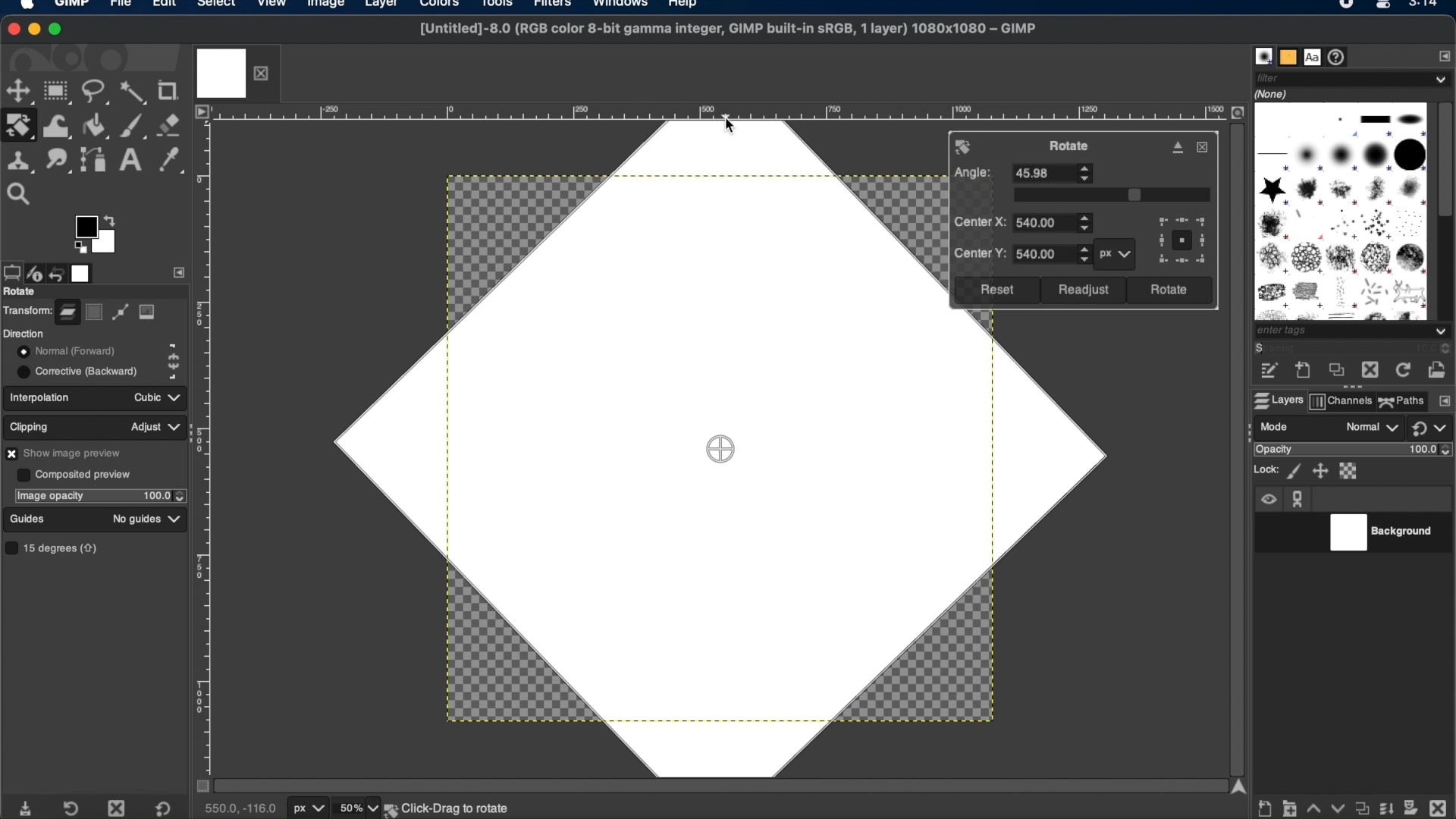 This screenshot has height=819, width=1456. Describe the element at coordinates (1025, 223) in the screenshot. I see `center x` at that location.